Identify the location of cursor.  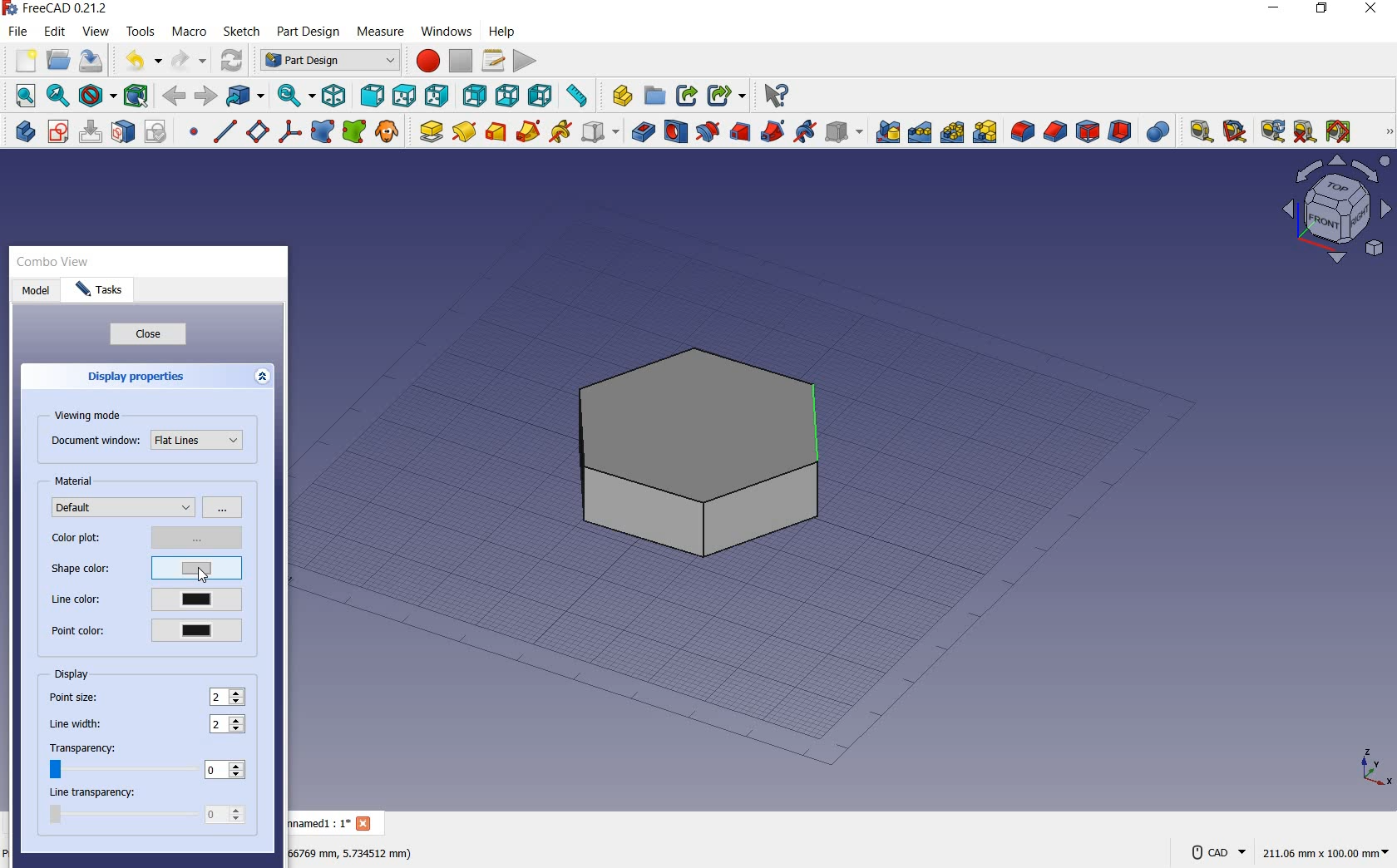
(208, 582).